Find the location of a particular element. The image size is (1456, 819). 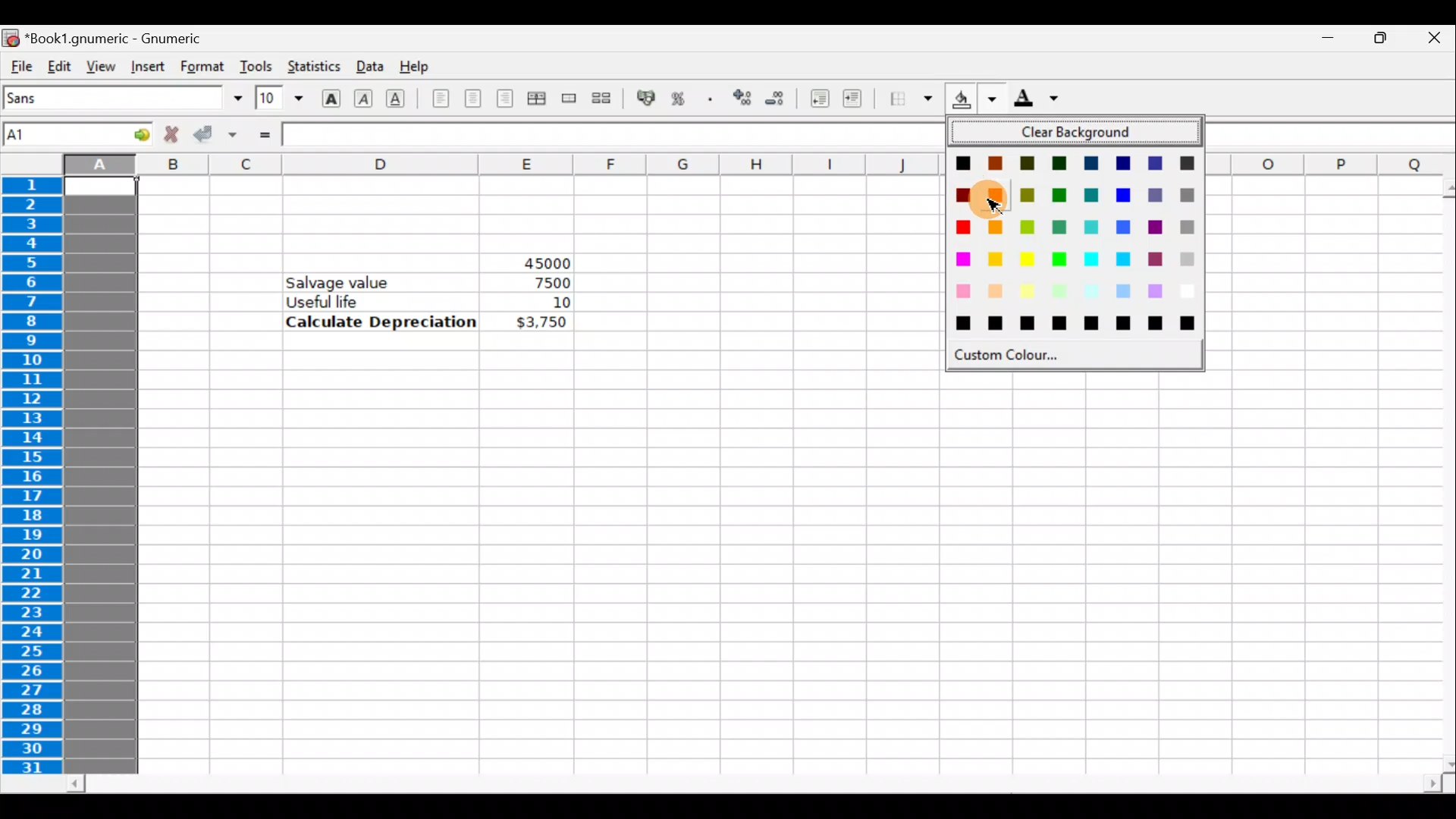

Accept change is located at coordinates (215, 135).